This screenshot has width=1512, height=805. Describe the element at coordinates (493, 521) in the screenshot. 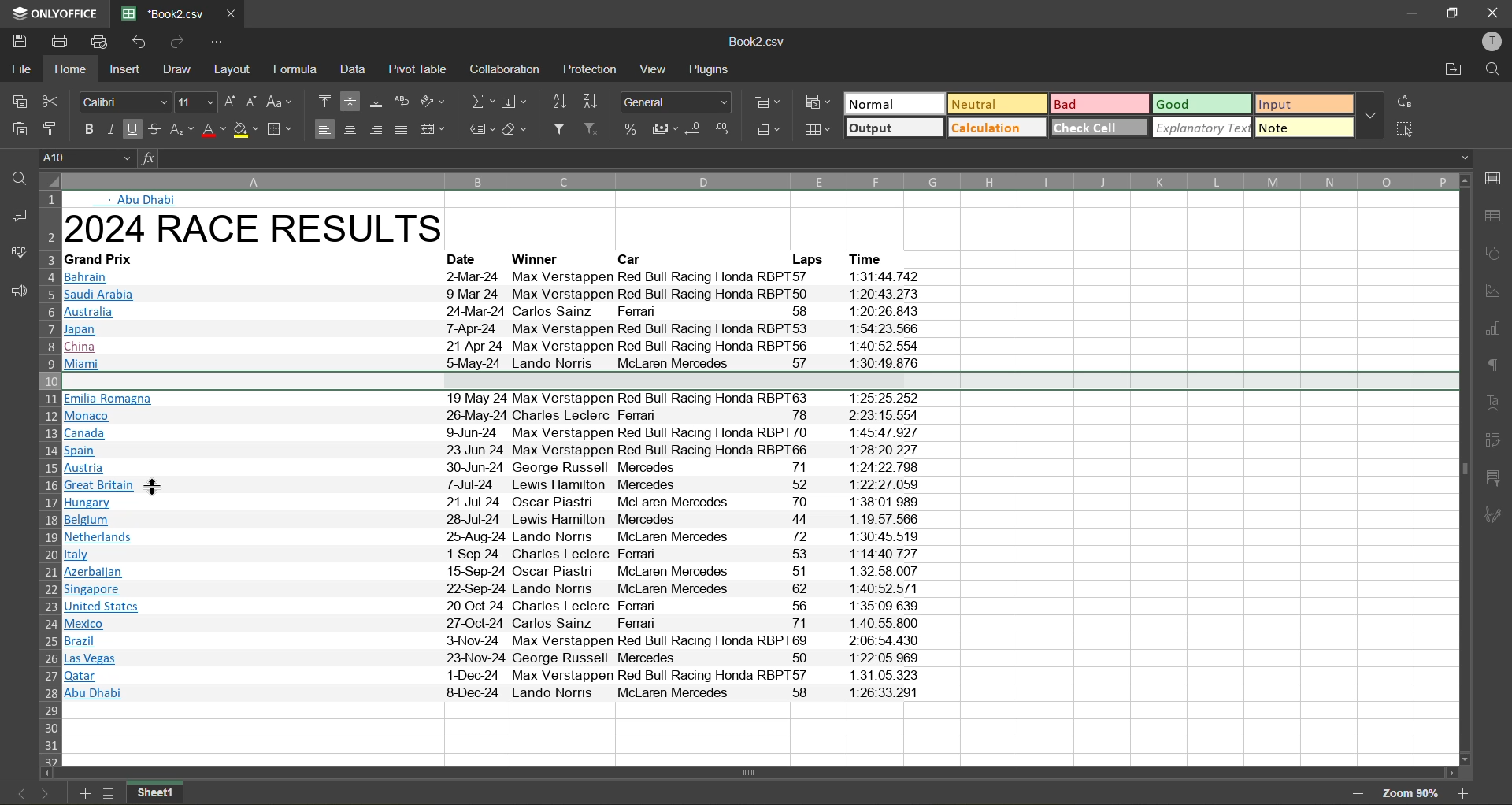

I see `Belgium 28-Jul-24 Lewis Hamilton Mercedes 44 1:19:57 566` at that location.